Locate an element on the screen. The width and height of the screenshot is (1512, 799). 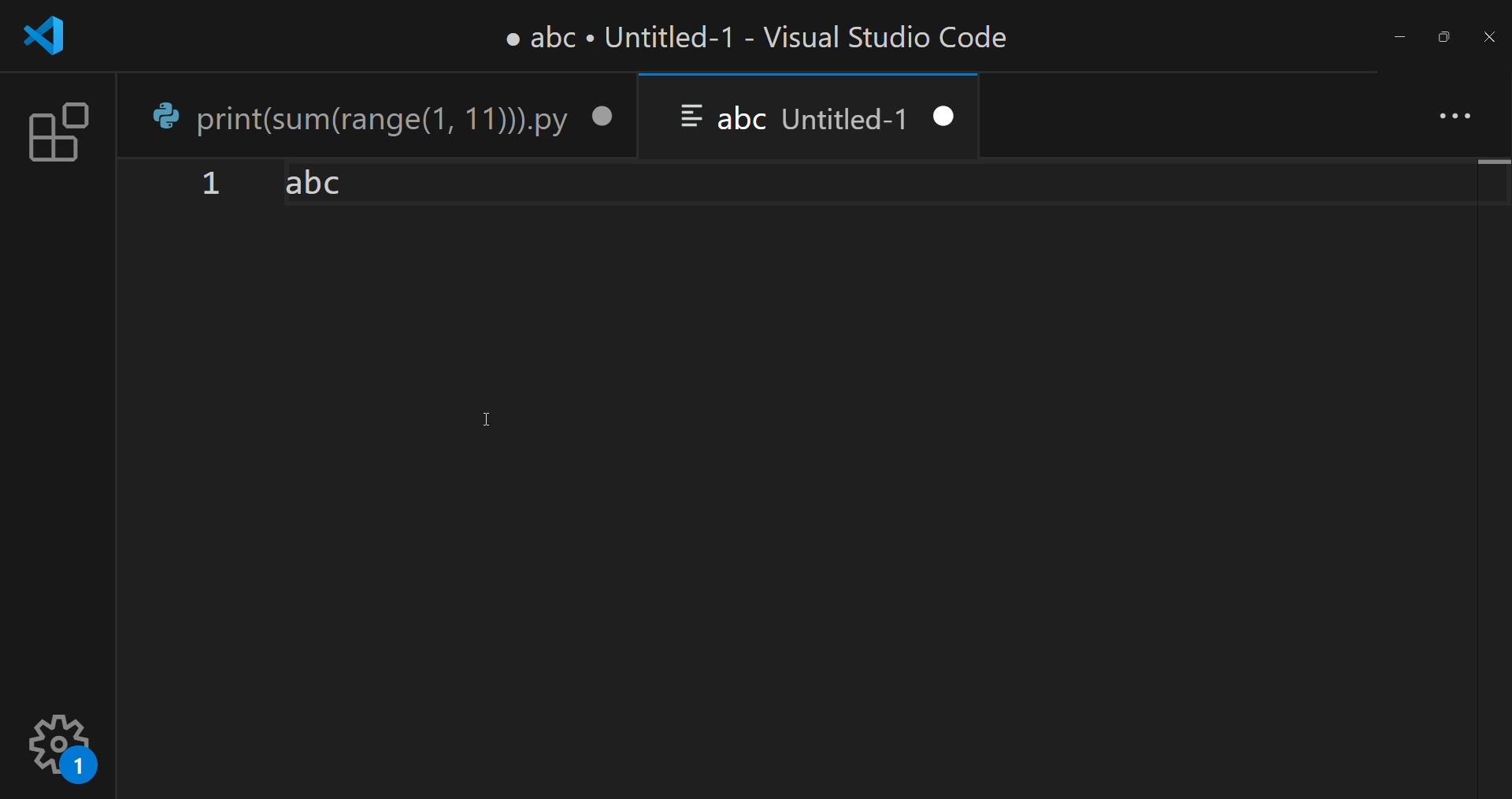
close tab is located at coordinates (948, 119).